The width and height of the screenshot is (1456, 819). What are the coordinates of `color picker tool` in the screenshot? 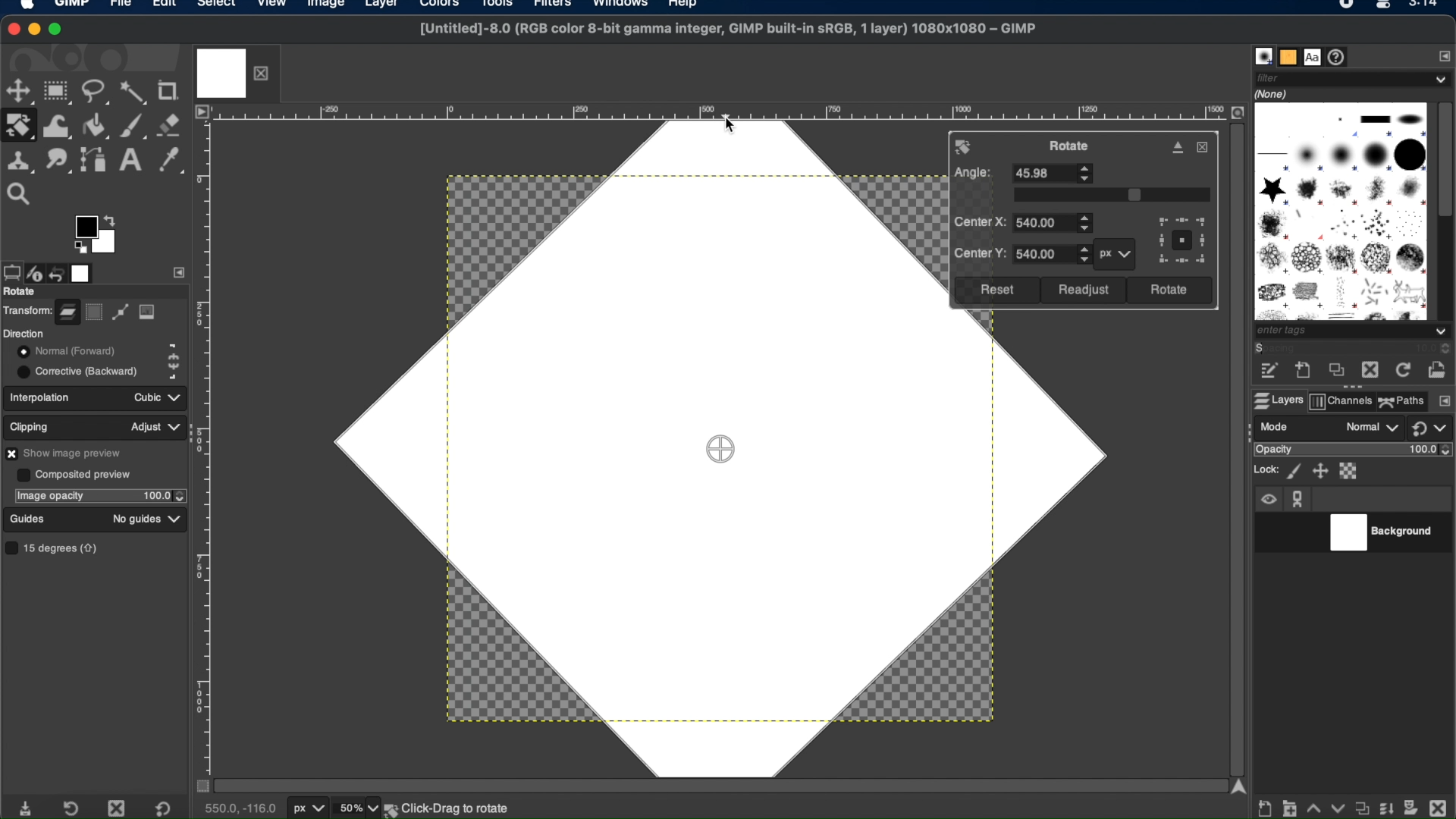 It's located at (171, 161).